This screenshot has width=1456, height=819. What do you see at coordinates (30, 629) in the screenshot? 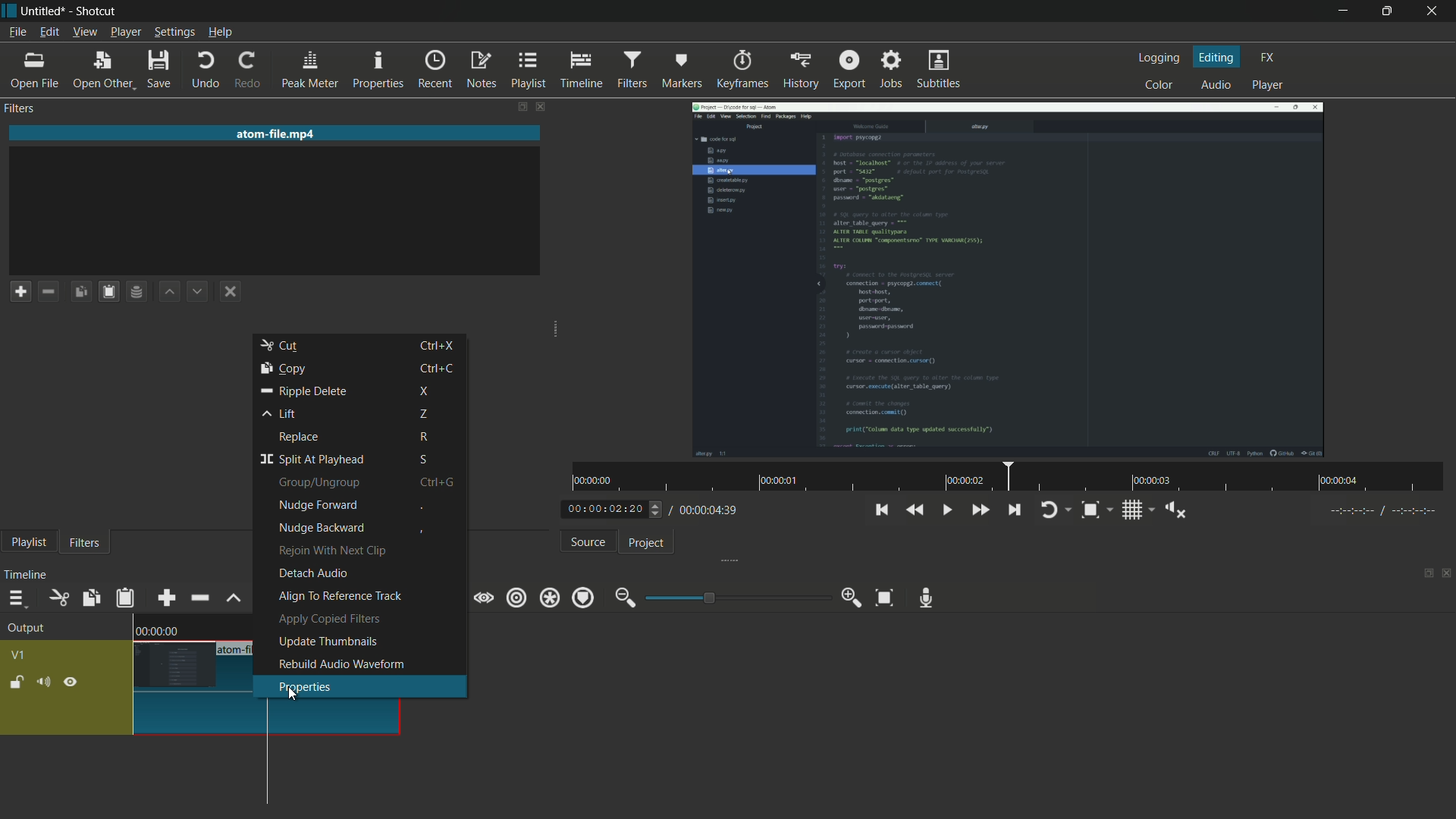
I see `output` at bounding box center [30, 629].